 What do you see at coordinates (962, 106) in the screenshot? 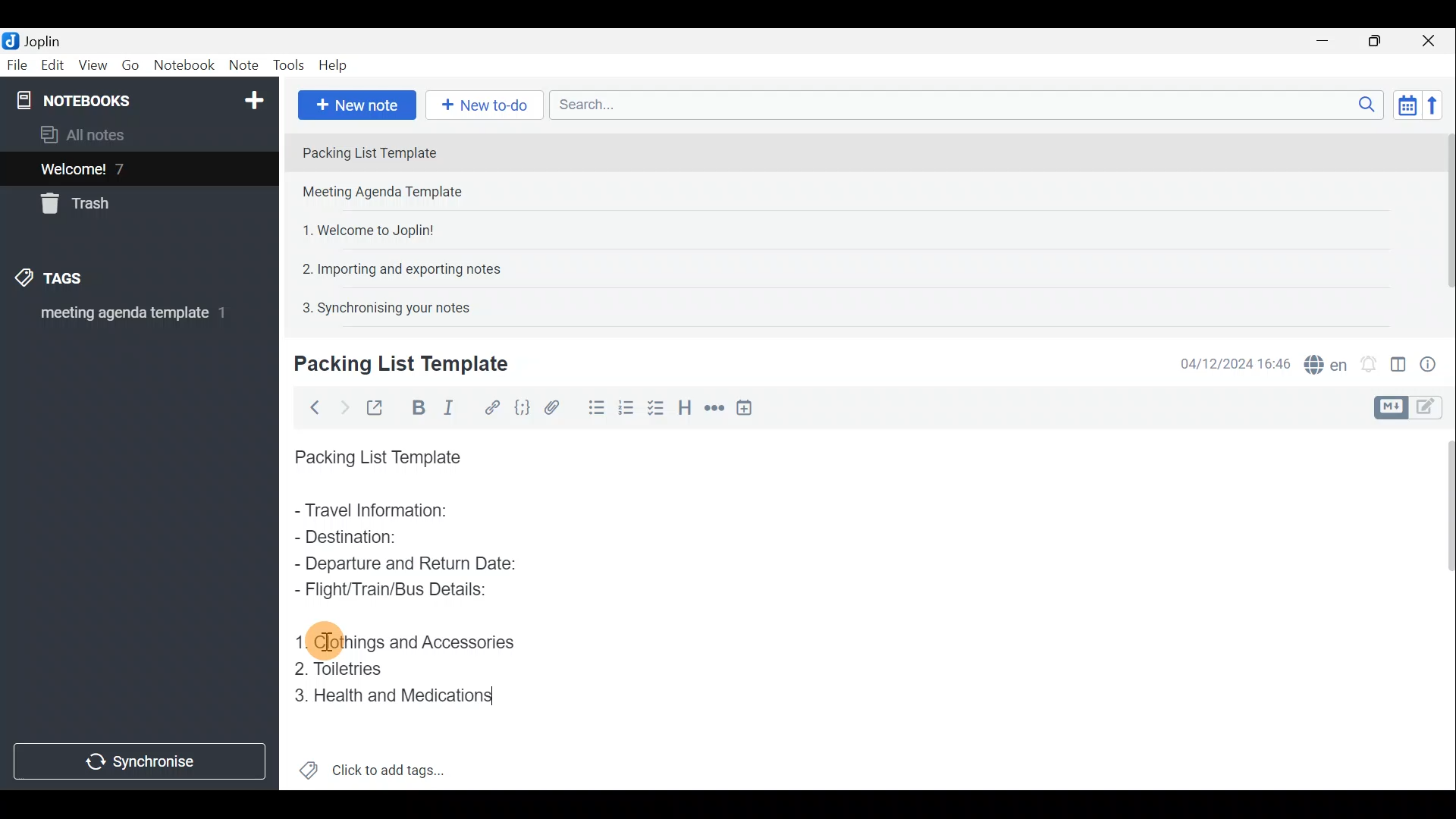
I see `Search bar` at bounding box center [962, 106].